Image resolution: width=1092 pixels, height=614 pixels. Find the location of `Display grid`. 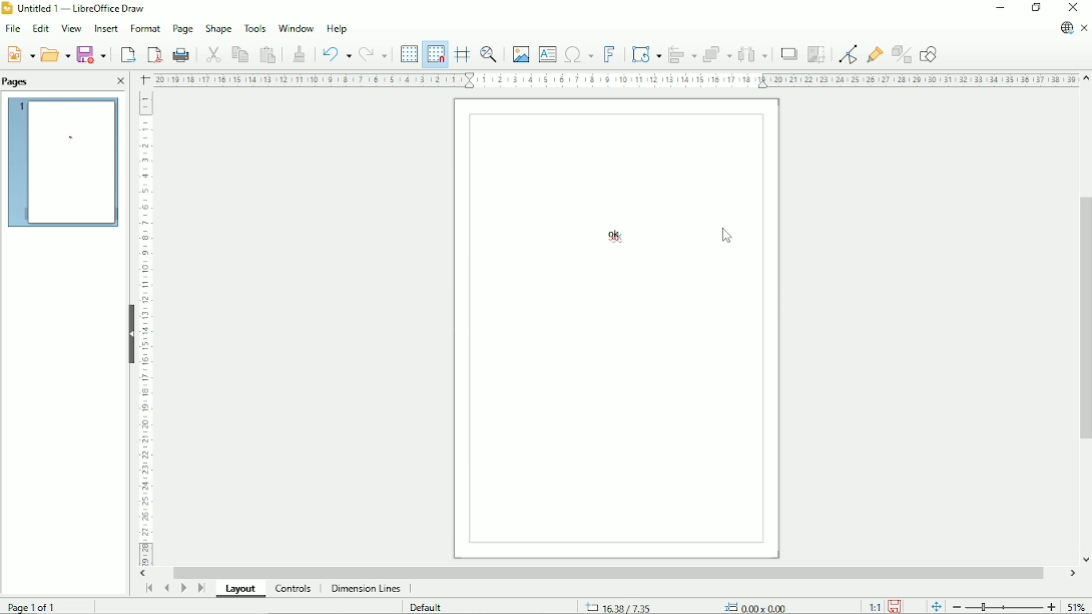

Display grid is located at coordinates (408, 52).